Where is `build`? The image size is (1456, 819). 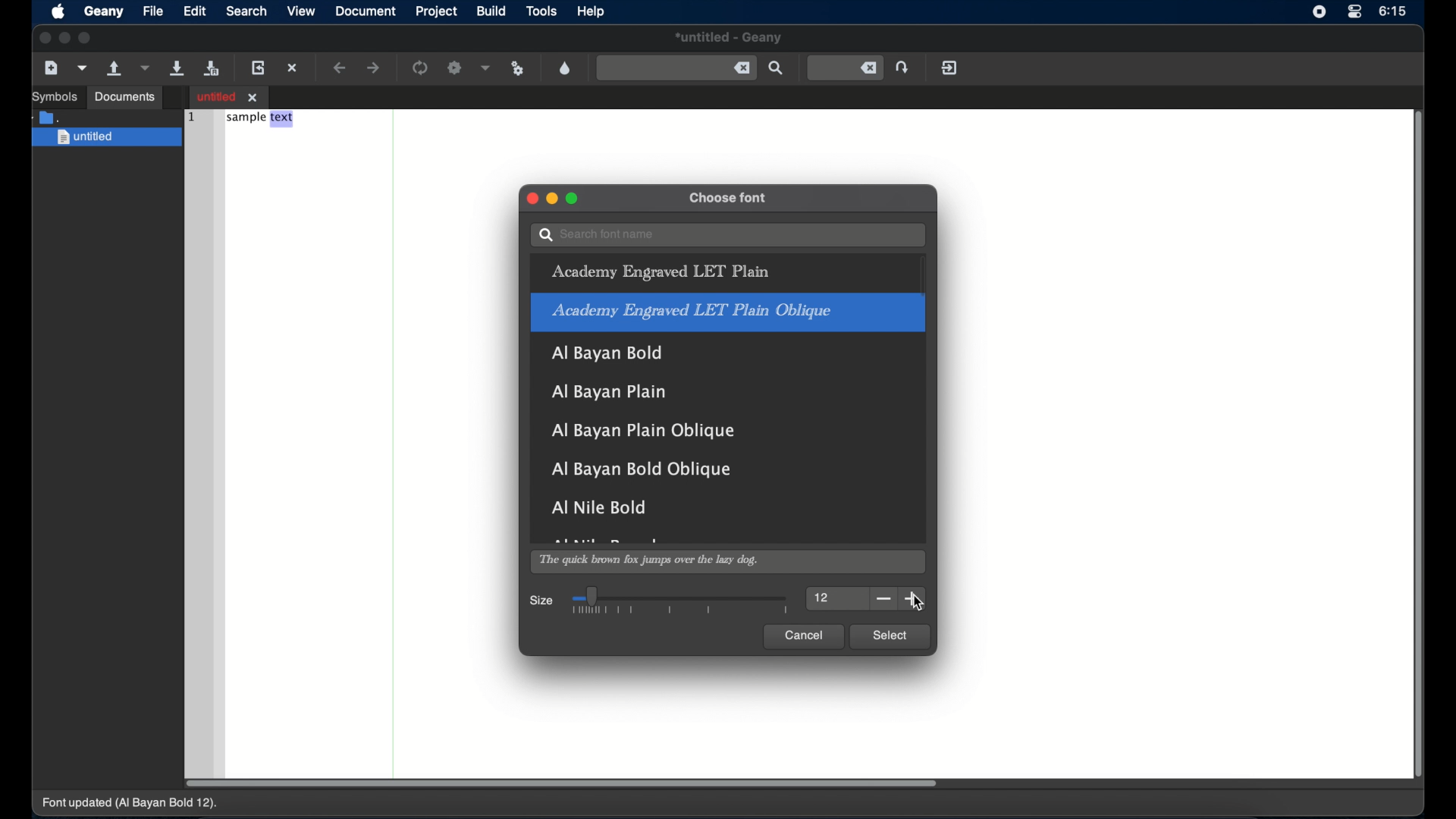 build is located at coordinates (491, 11).